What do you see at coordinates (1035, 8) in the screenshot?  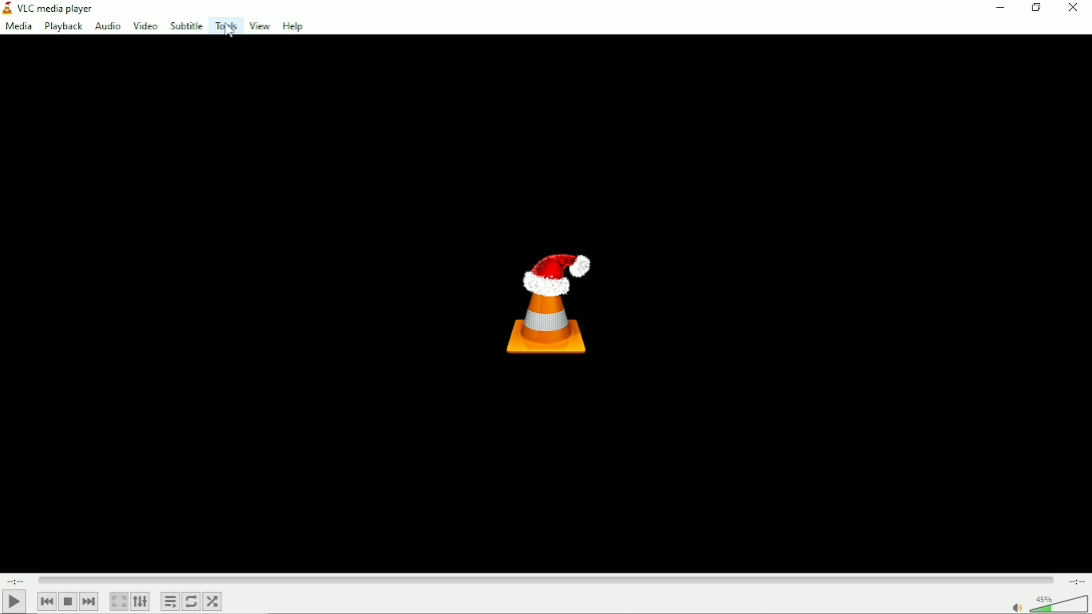 I see `Restore down` at bounding box center [1035, 8].